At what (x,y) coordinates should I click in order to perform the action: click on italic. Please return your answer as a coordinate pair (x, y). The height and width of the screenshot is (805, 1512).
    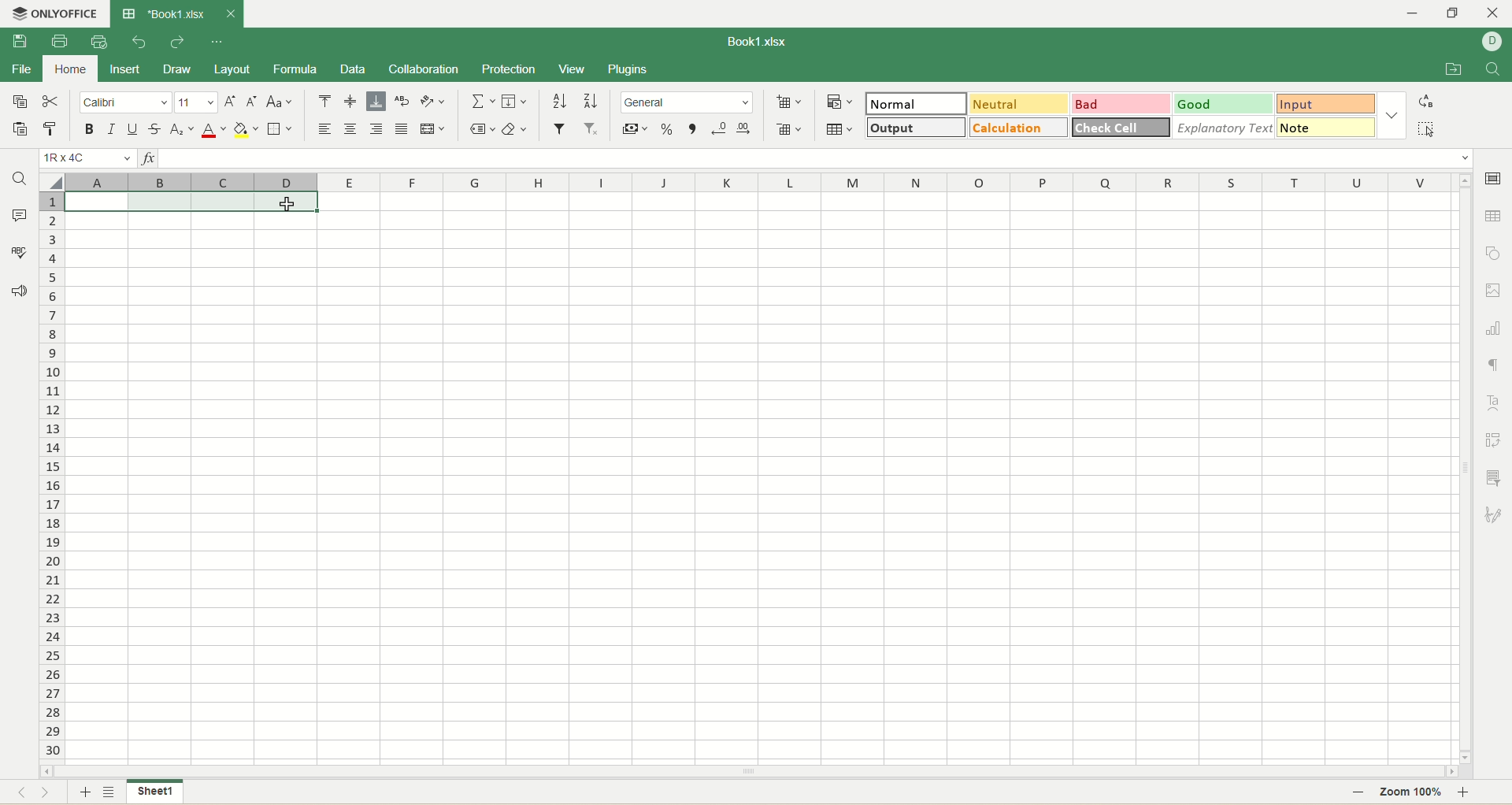
    Looking at the image, I should click on (113, 128).